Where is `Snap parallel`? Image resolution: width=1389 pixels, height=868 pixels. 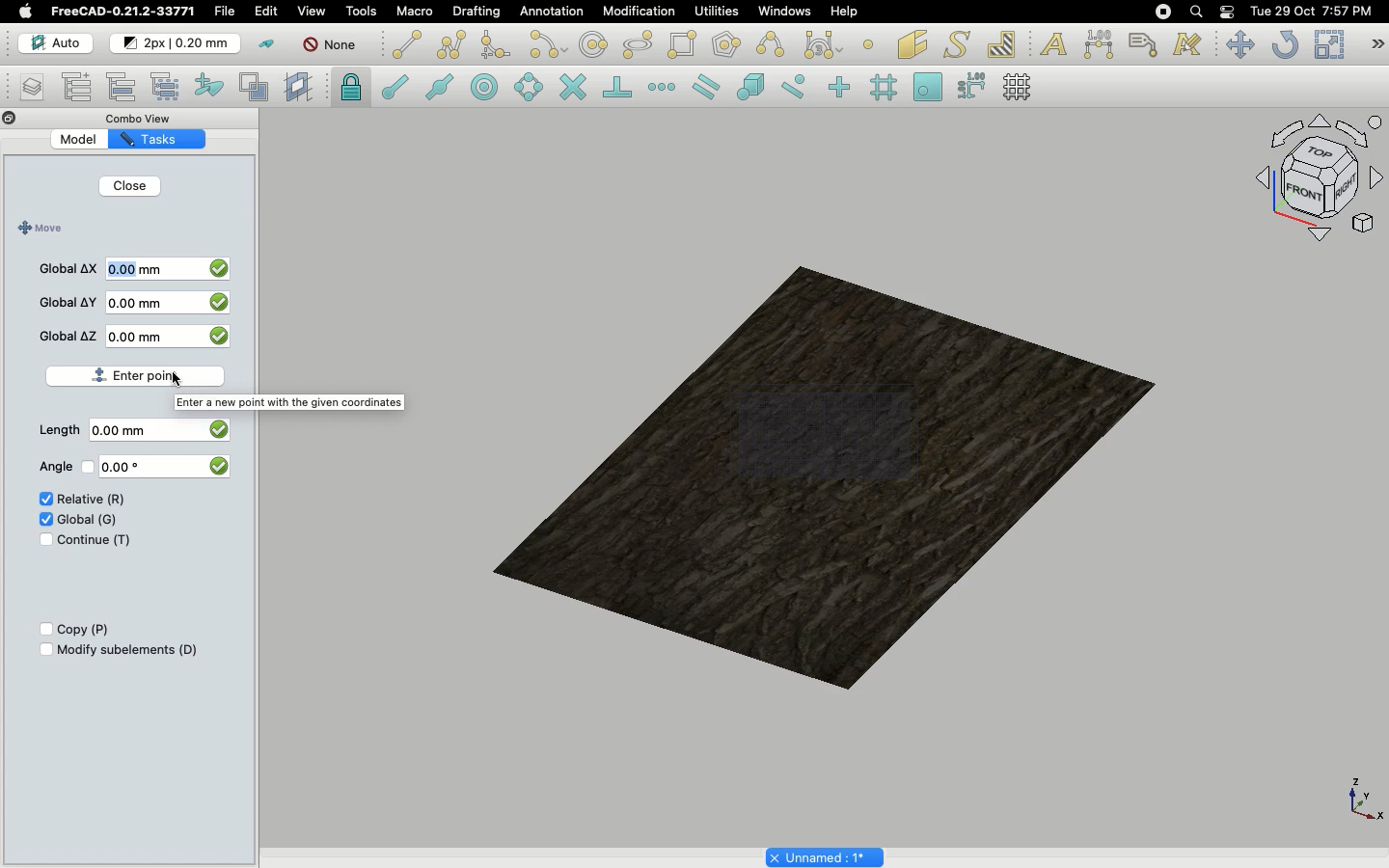 Snap parallel is located at coordinates (706, 87).